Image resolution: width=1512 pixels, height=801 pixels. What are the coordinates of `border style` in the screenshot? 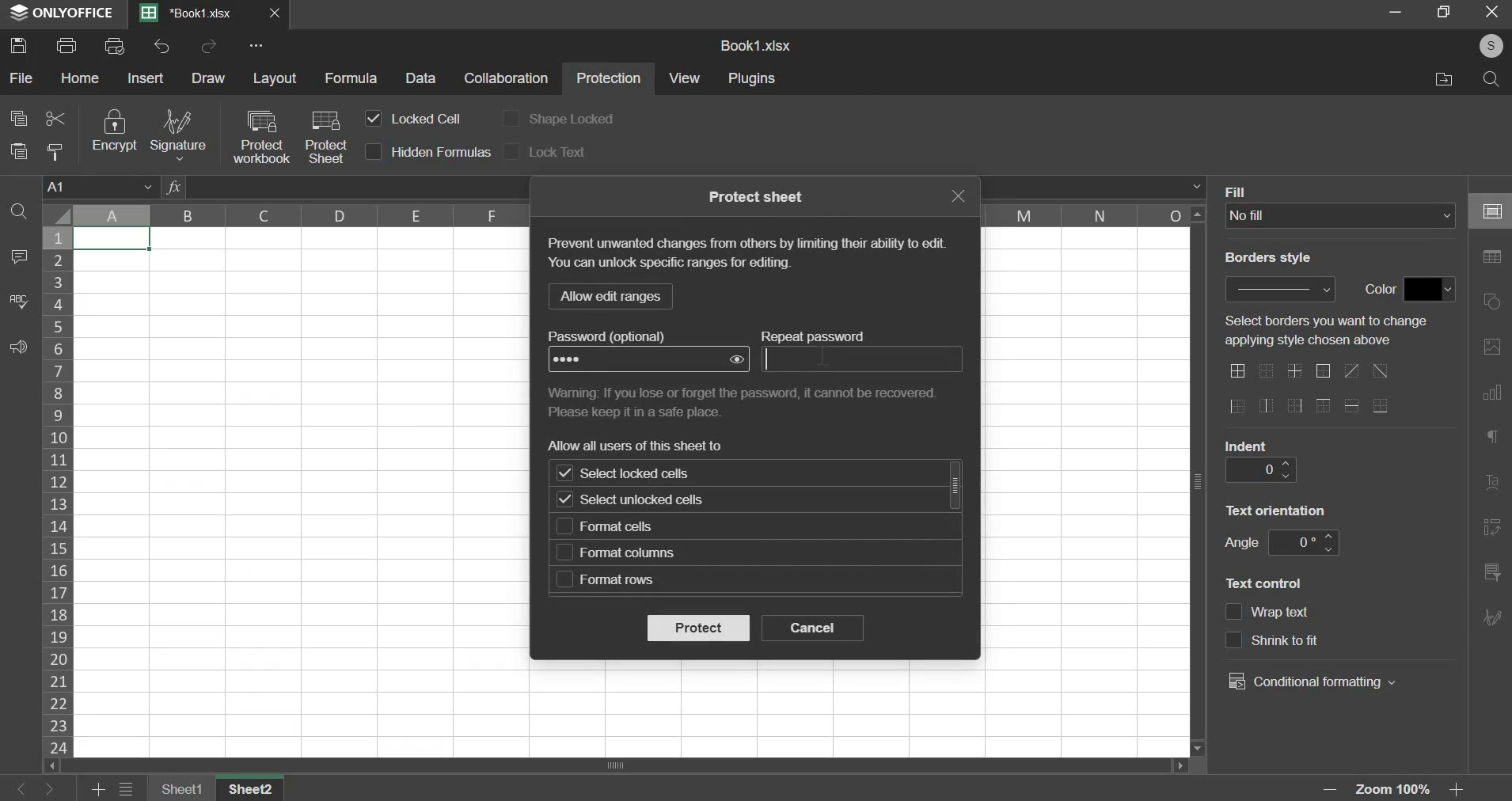 It's located at (1282, 288).